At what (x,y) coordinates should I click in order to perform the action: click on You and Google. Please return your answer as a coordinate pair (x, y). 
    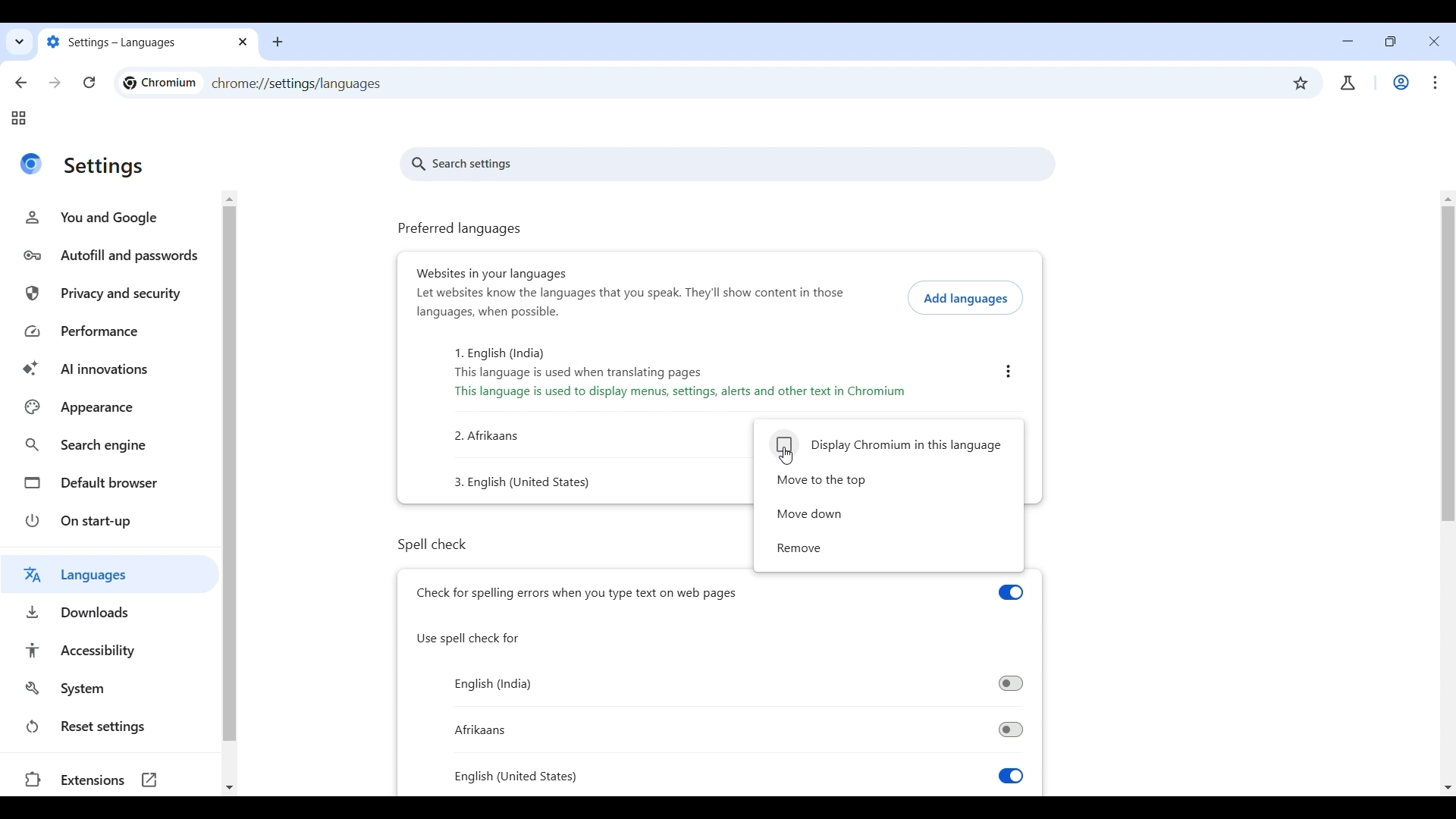
    Looking at the image, I should click on (109, 217).